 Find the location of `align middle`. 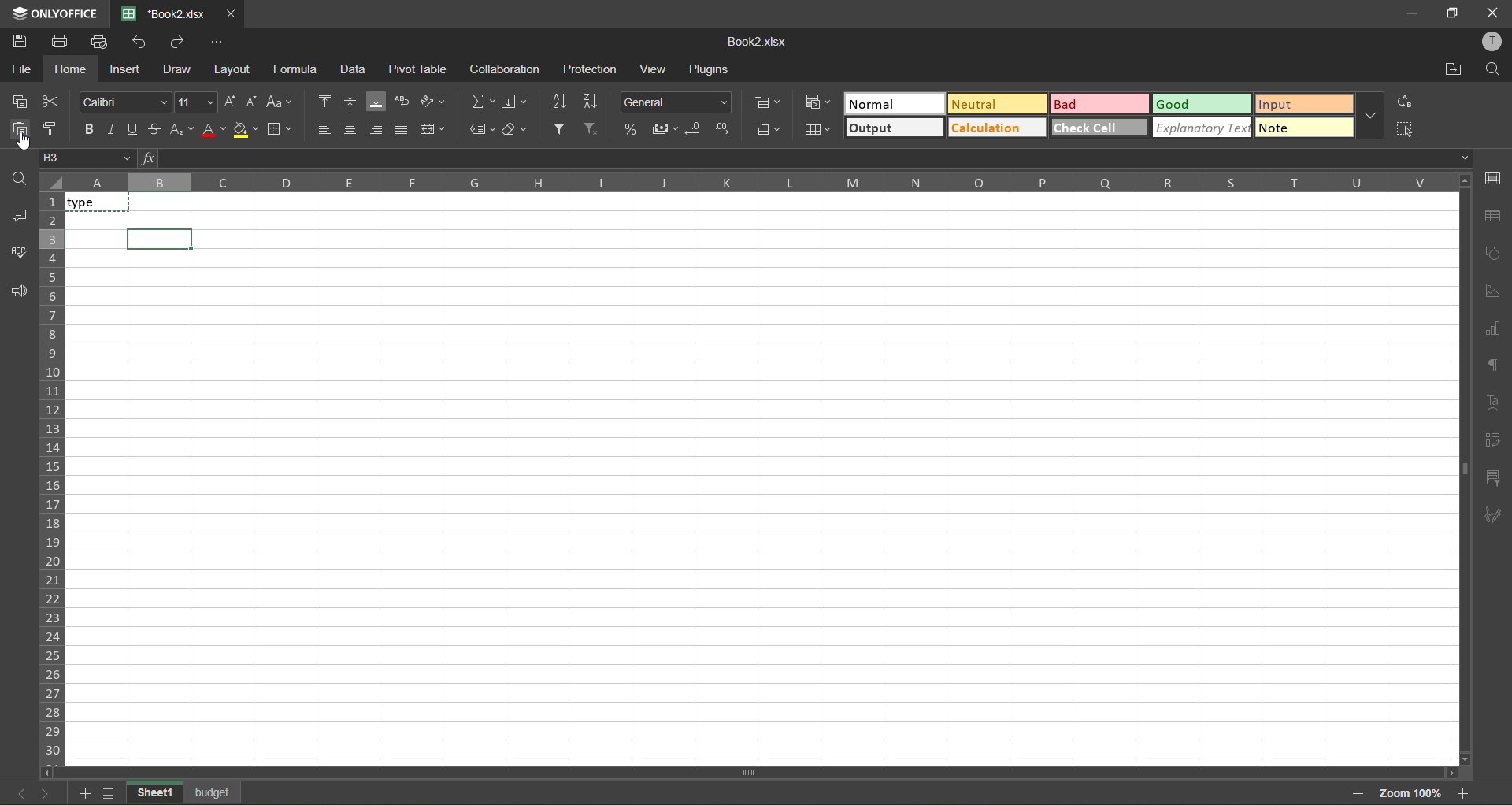

align middle is located at coordinates (346, 98).